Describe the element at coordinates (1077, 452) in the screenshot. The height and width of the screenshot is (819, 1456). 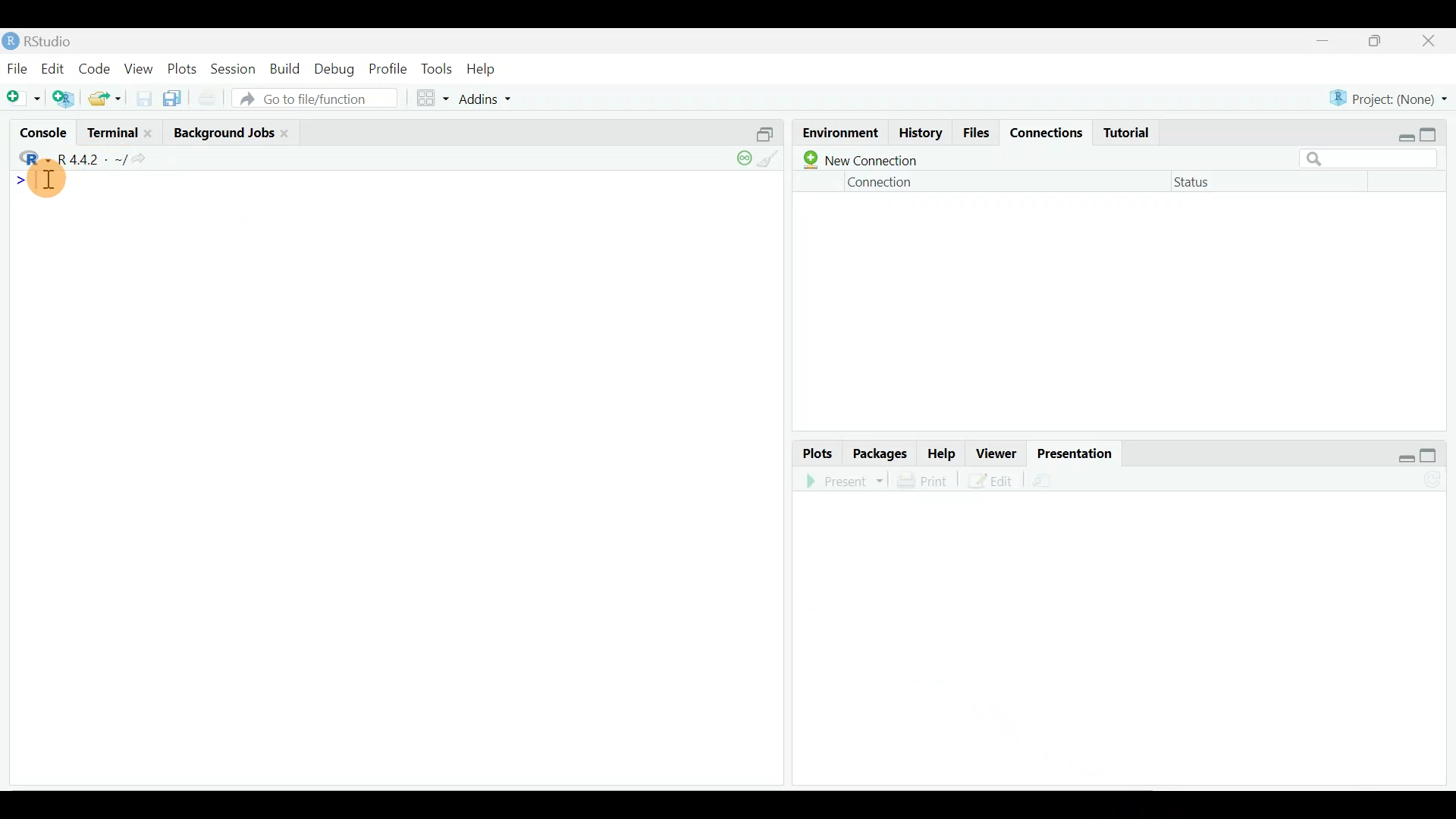
I see `Presentation` at that location.